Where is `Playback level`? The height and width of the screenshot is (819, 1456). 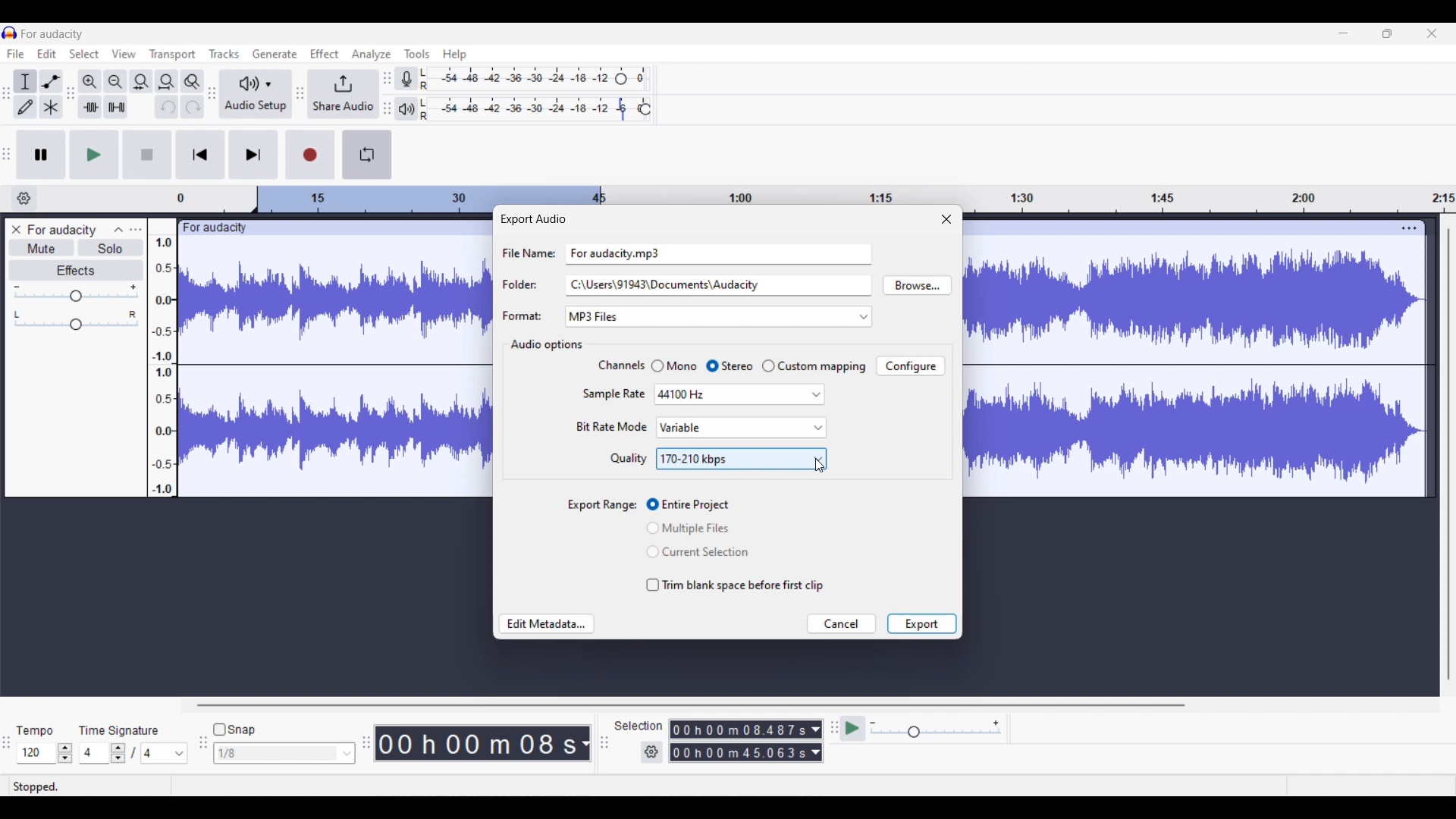
Playback level is located at coordinates (526, 109).